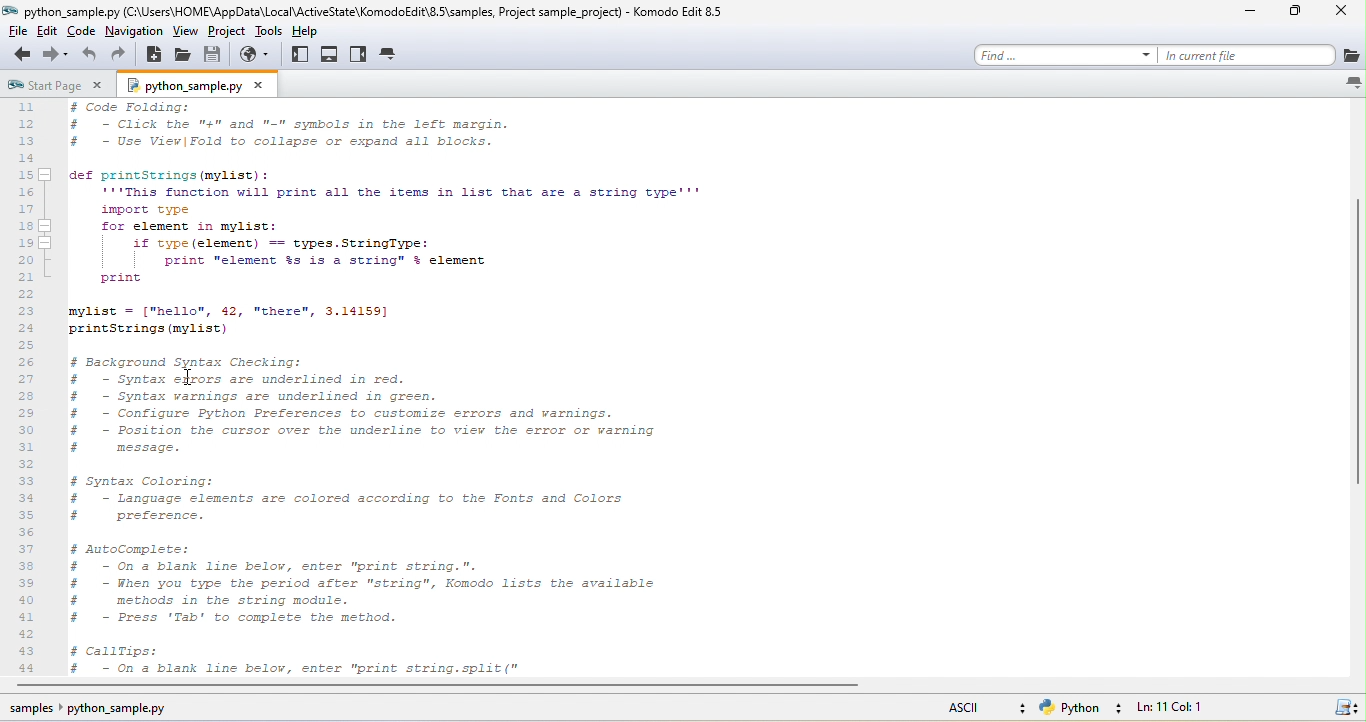 The width and height of the screenshot is (1366, 722). What do you see at coordinates (1338, 16) in the screenshot?
I see `close` at bounding box center [1338, 16].